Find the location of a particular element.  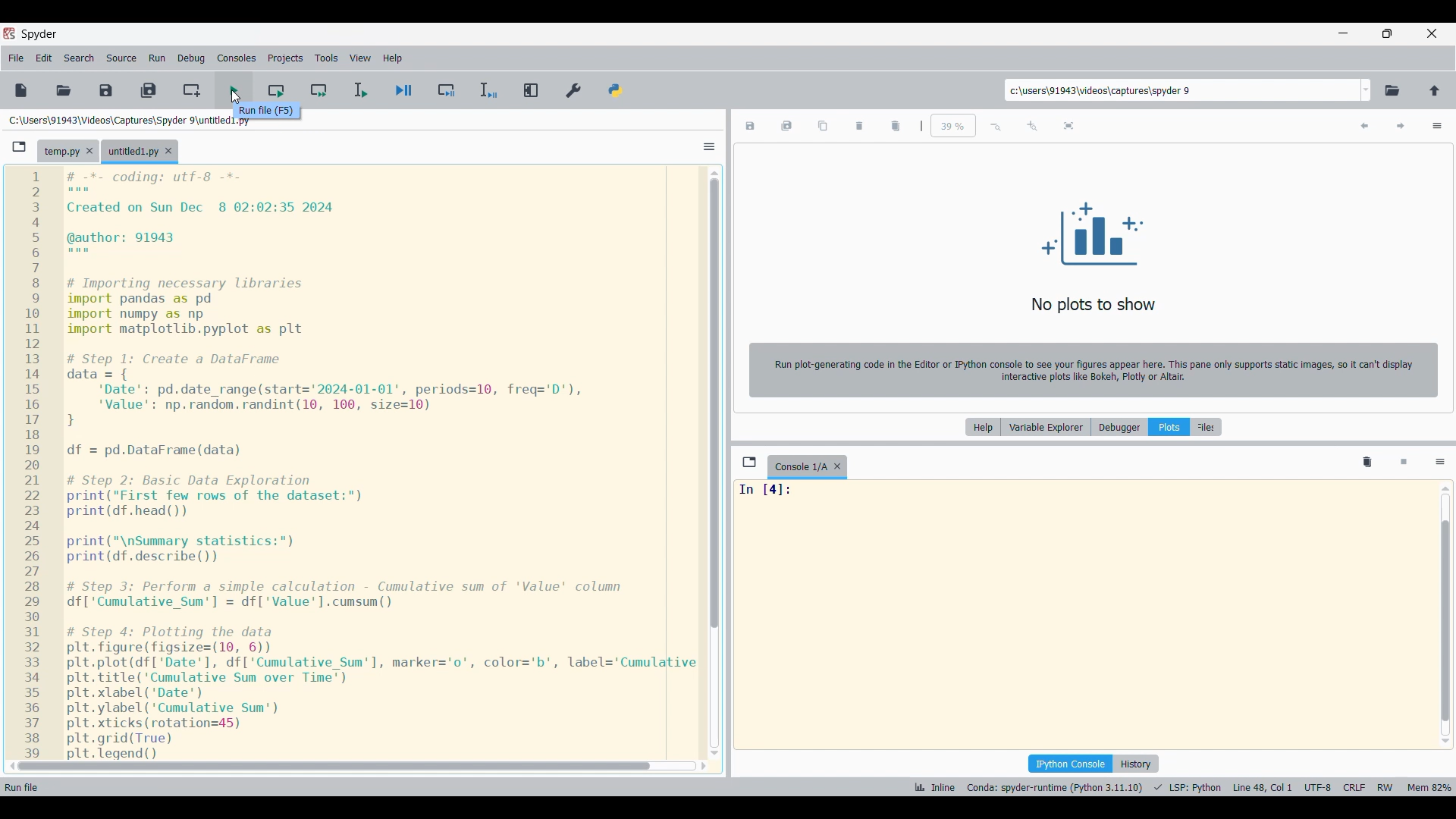

Consoles menu  is located at coordinates (237, 58).